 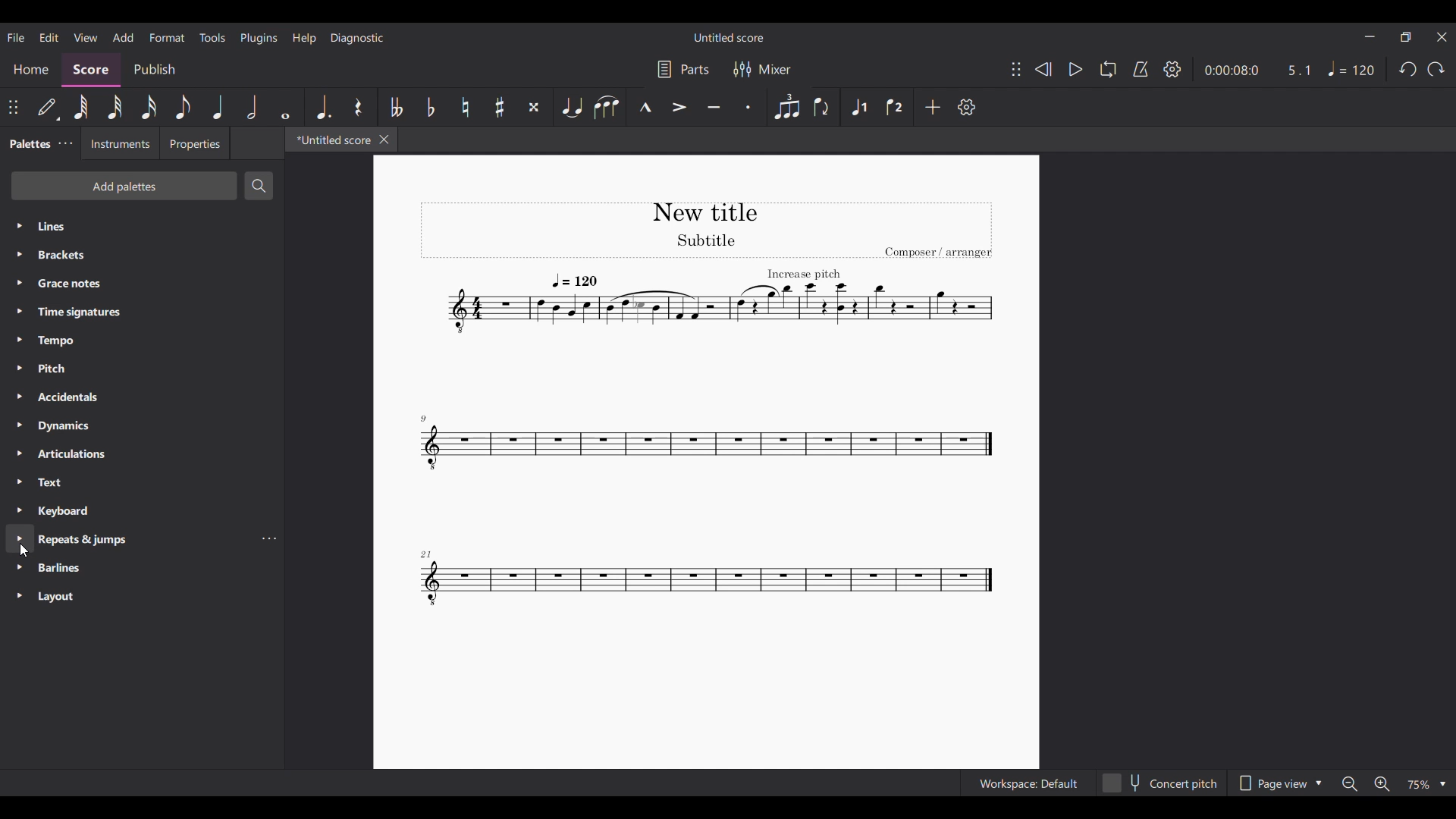 What do you see at coordinates (143, 341) in the screenshot?
I see `Tempo` at bounding box center [143, 341].